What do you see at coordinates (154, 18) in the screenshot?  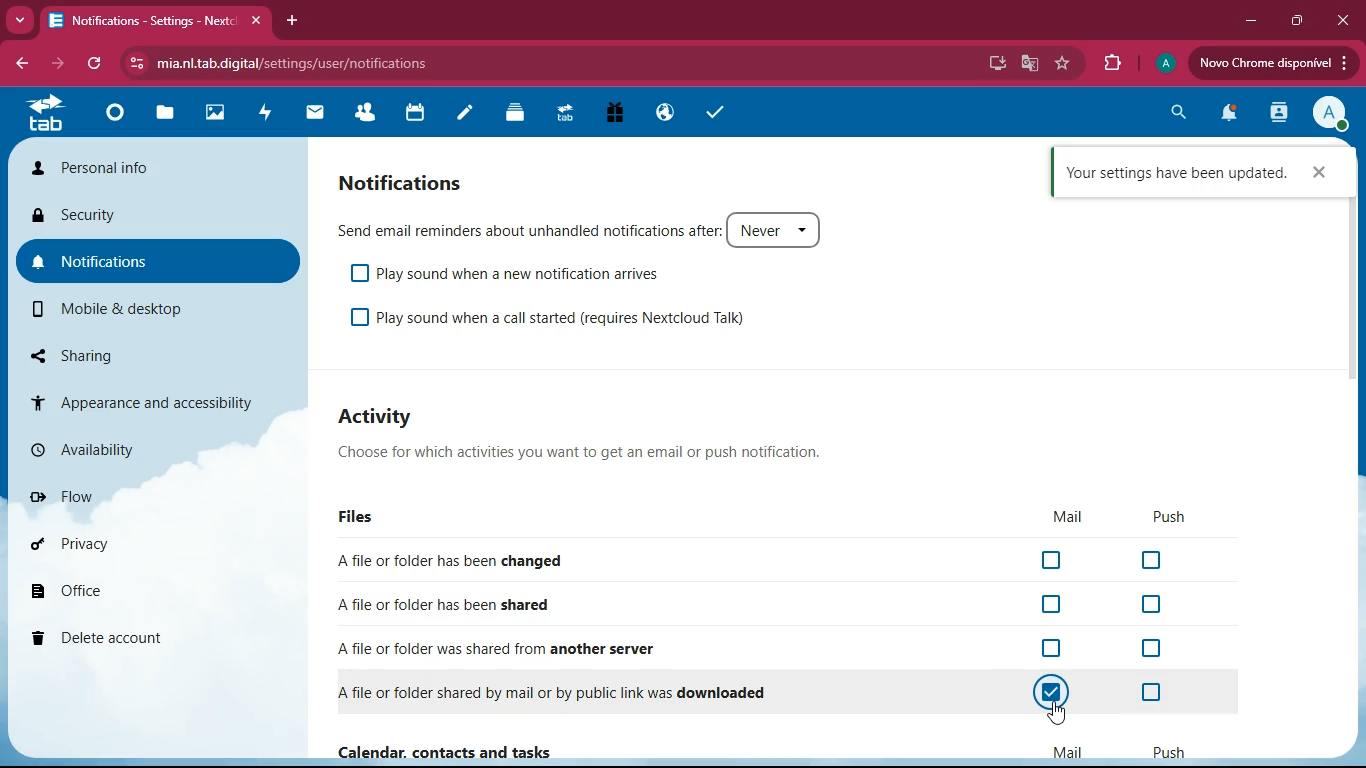 I see `tab` at bounding box center [154, 18].